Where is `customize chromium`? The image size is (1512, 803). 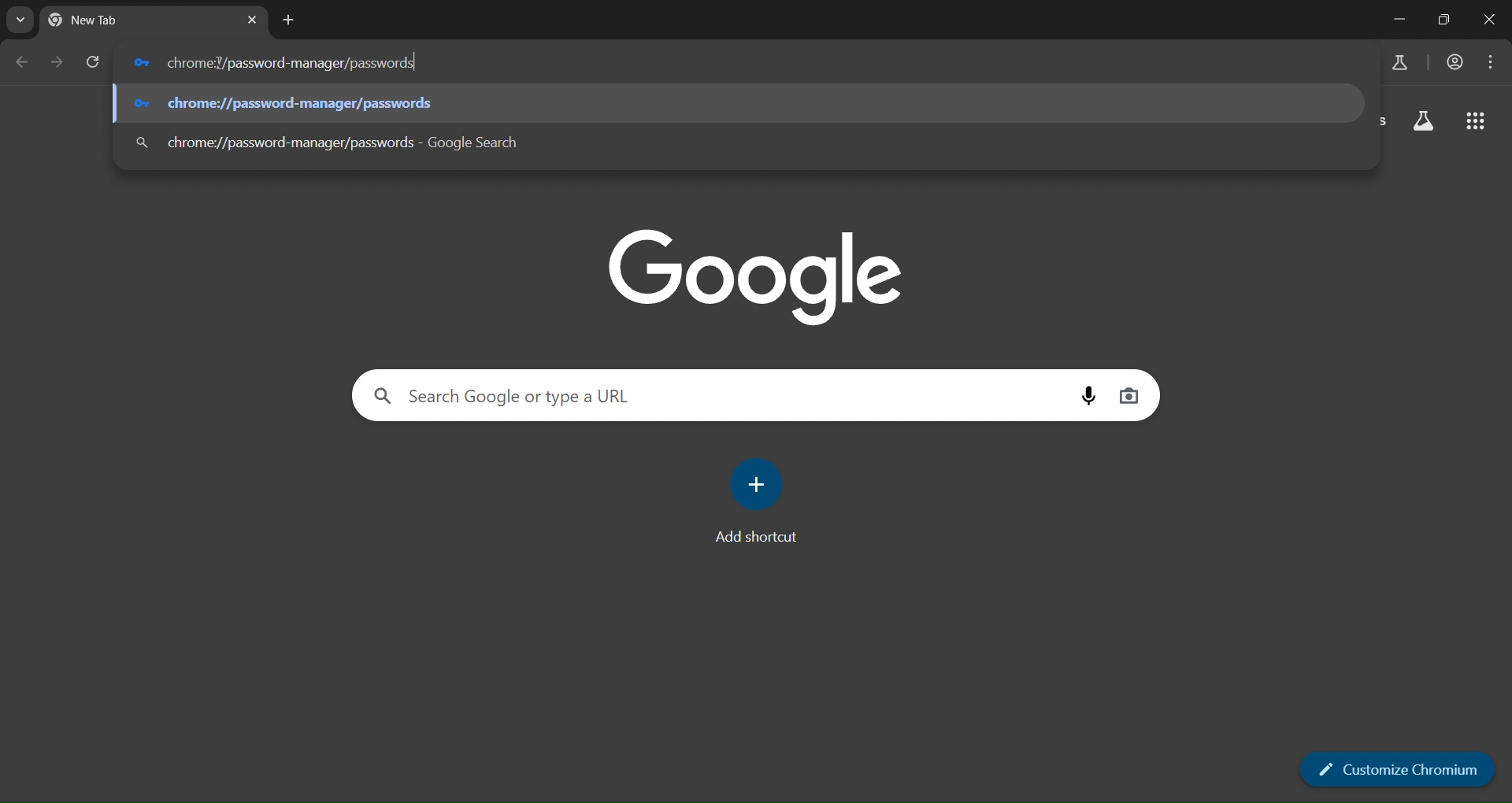 customize chromium is located at coordinates (1392, 770).